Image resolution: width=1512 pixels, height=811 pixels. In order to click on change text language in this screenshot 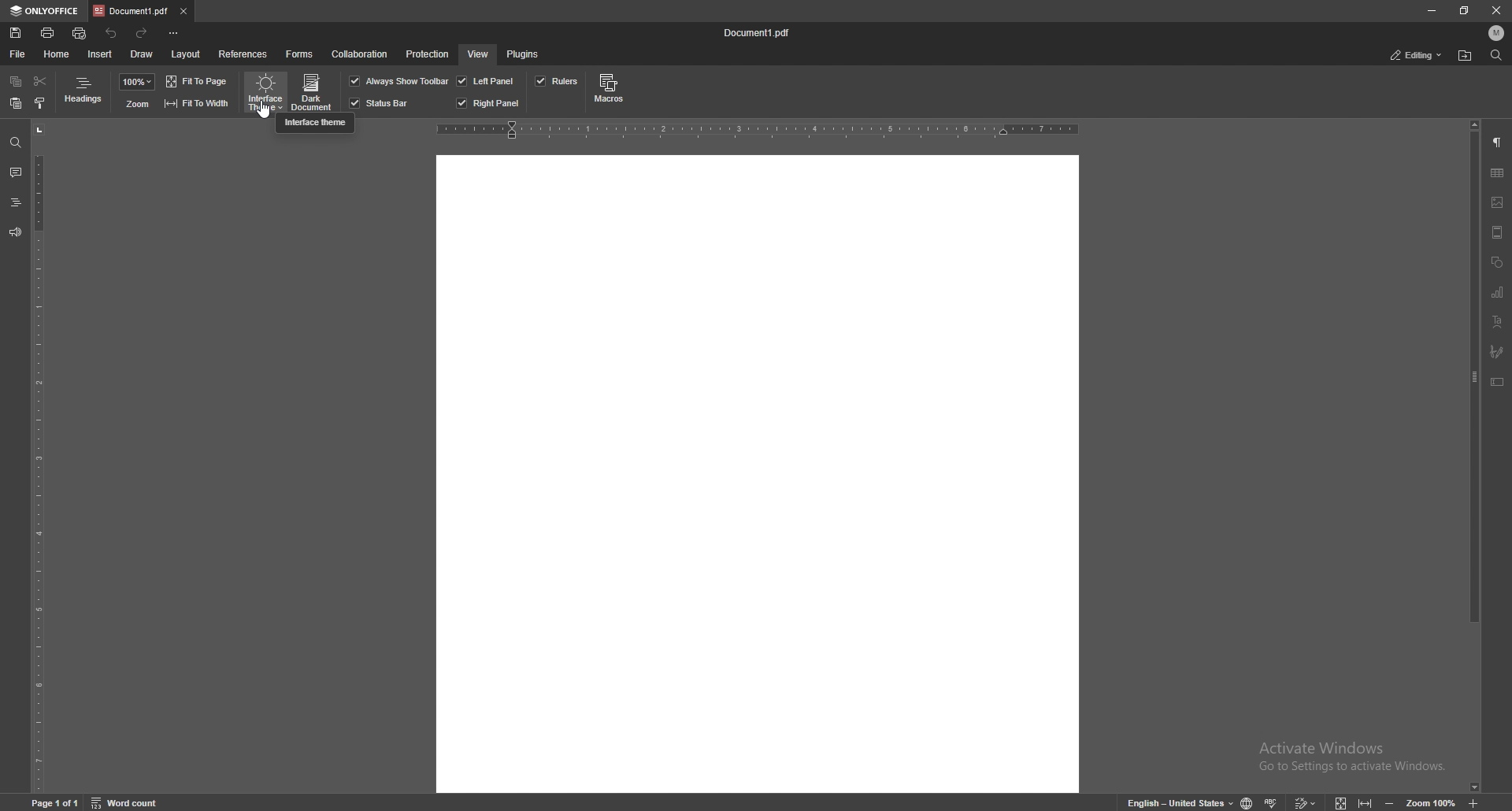, I will do `click(1180, 803)`.